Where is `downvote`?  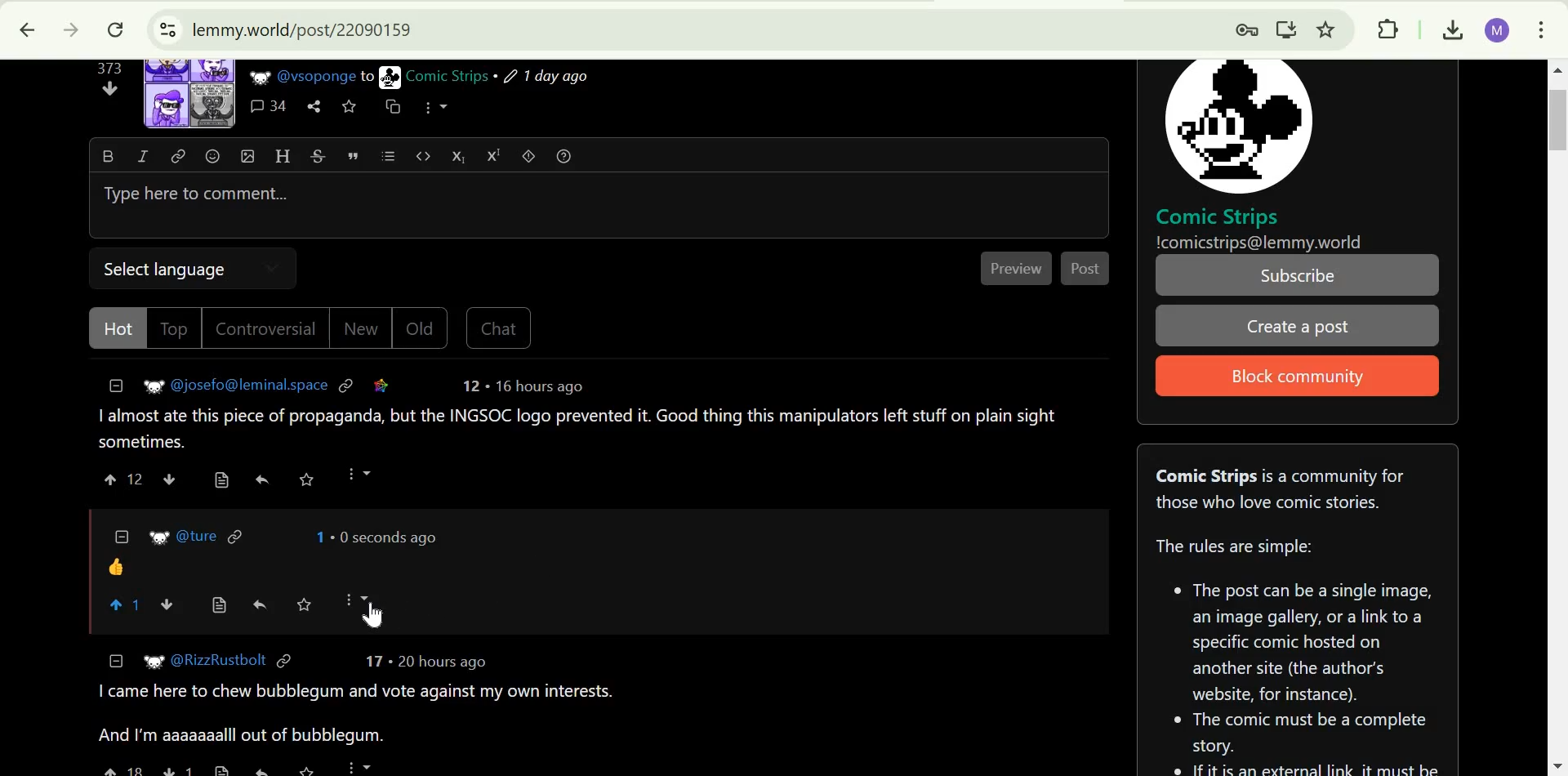 downvote is located at coordinates (111, 88).